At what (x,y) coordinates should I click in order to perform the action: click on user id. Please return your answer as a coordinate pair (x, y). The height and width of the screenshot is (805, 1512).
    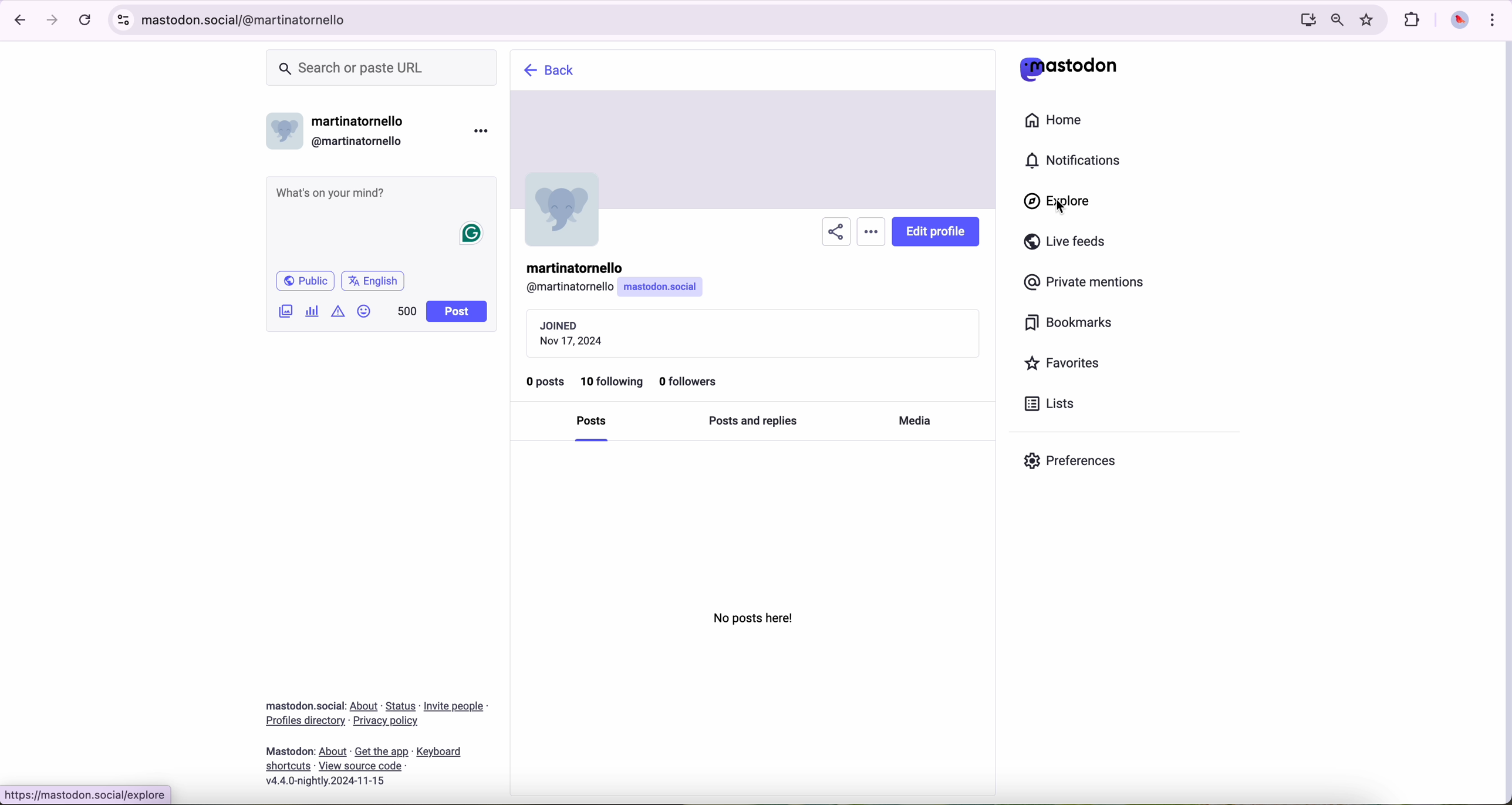
    Looking at the image, I should click on (563, 286).